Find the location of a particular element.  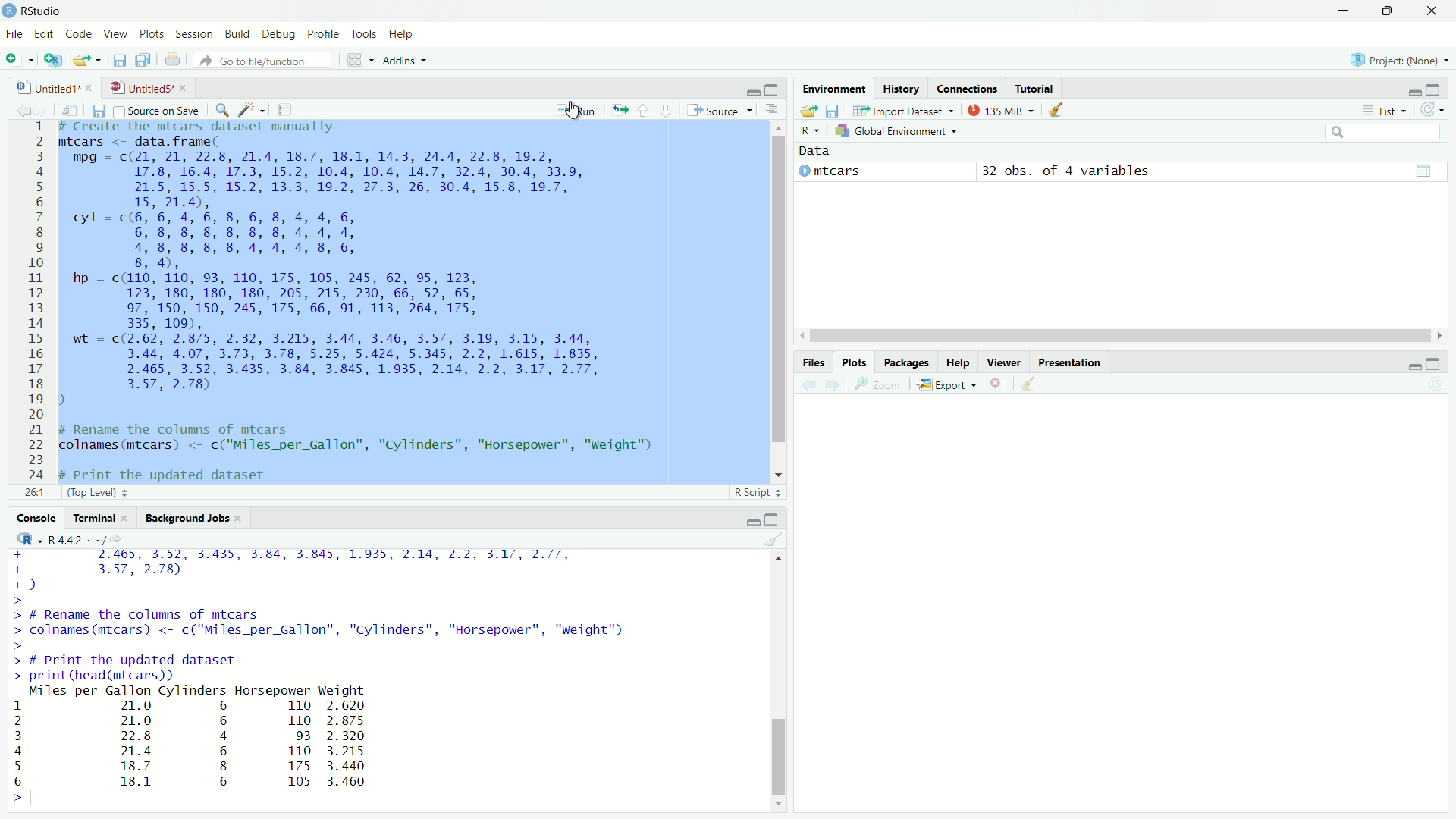

| Untitled 1* is located at coordinates (49, 87).